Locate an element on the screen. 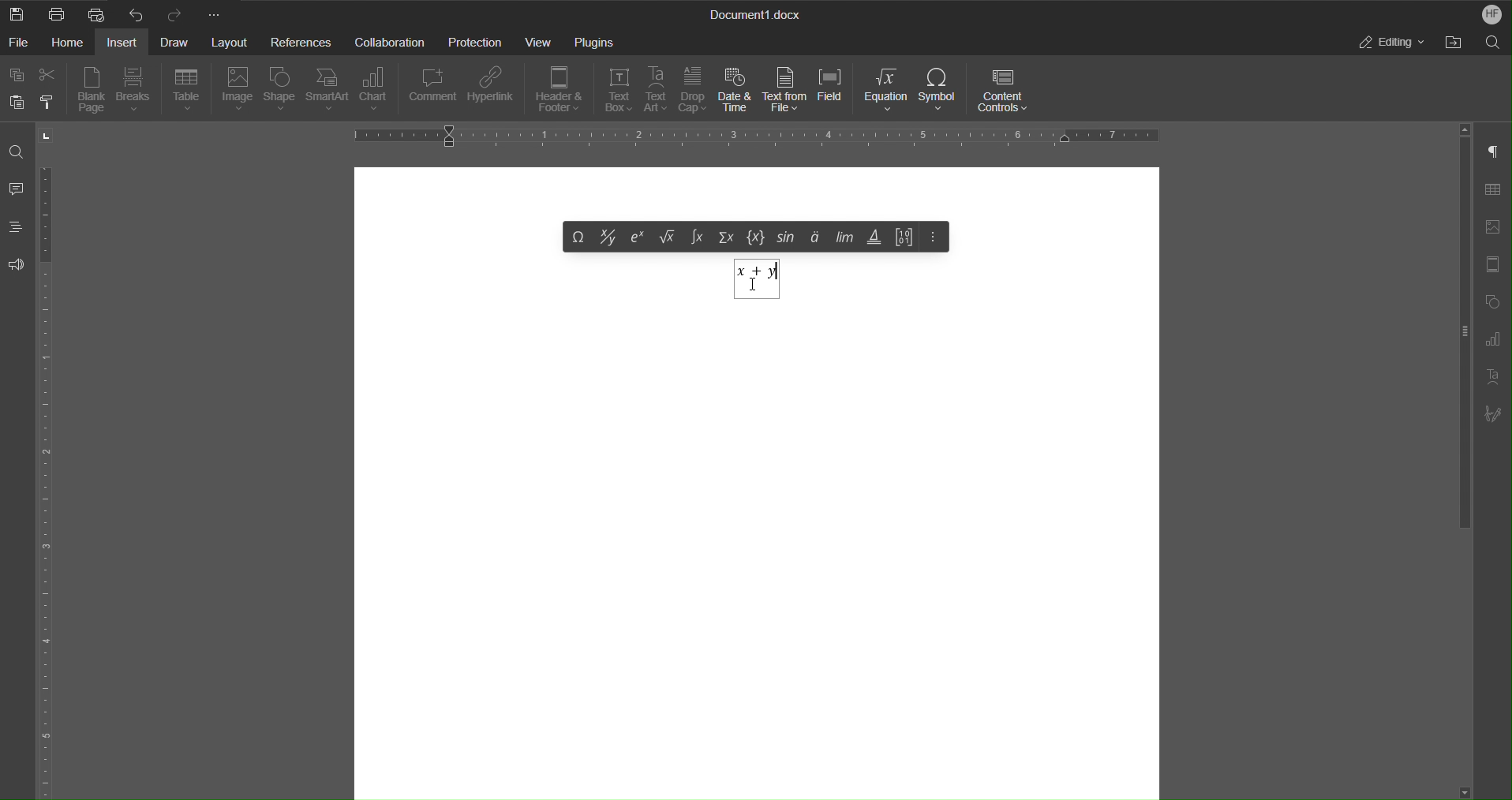 The image size is (1512, 800). Comment is located at coordinates (431, 91).